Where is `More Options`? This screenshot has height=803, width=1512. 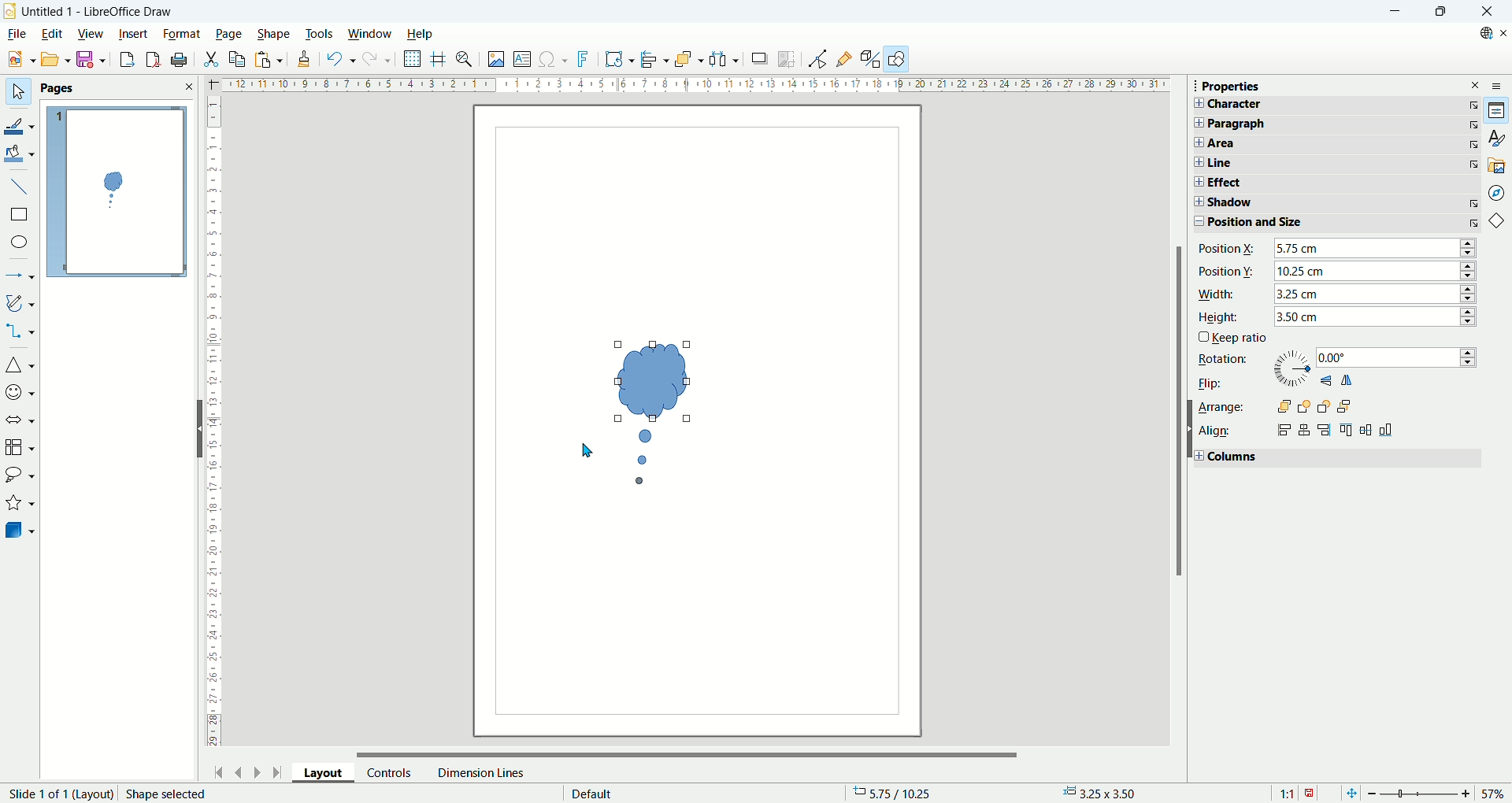
More Options is located at coordinates (1473, 164).